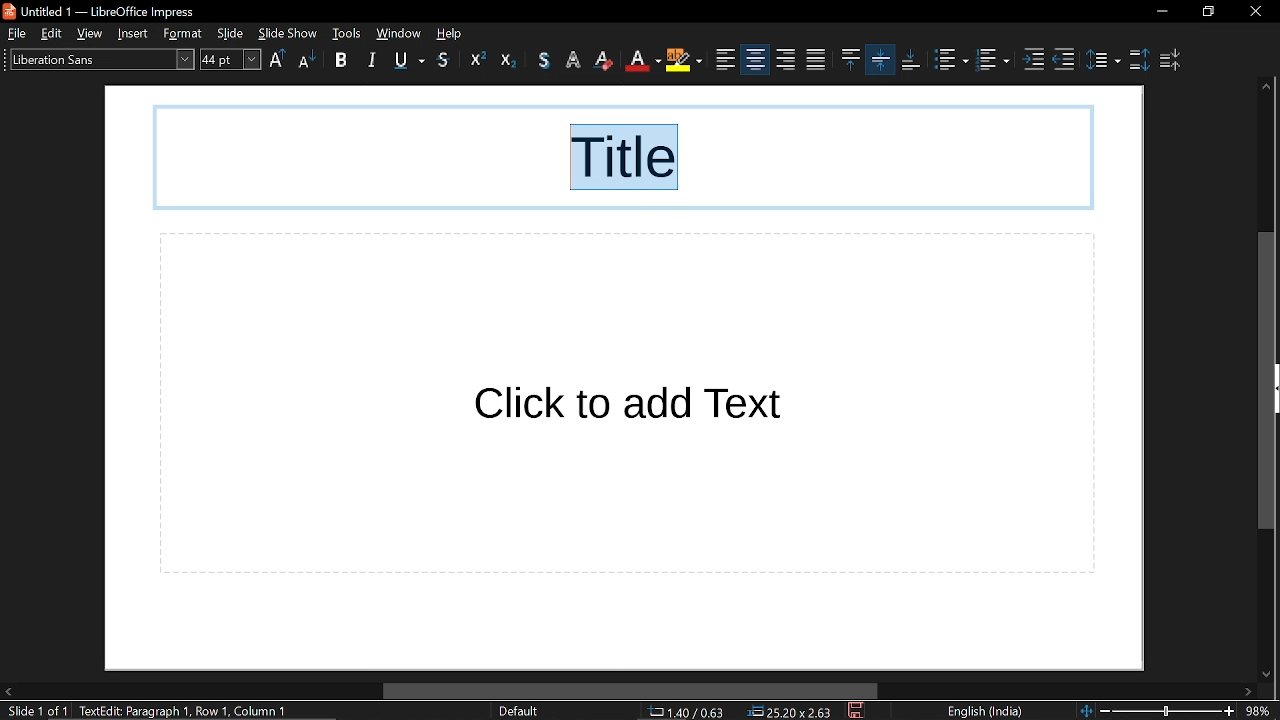  What do you see at coordinates (473, 61) in the screenshot?
I see `superscript` at bounding box center [473, 61].